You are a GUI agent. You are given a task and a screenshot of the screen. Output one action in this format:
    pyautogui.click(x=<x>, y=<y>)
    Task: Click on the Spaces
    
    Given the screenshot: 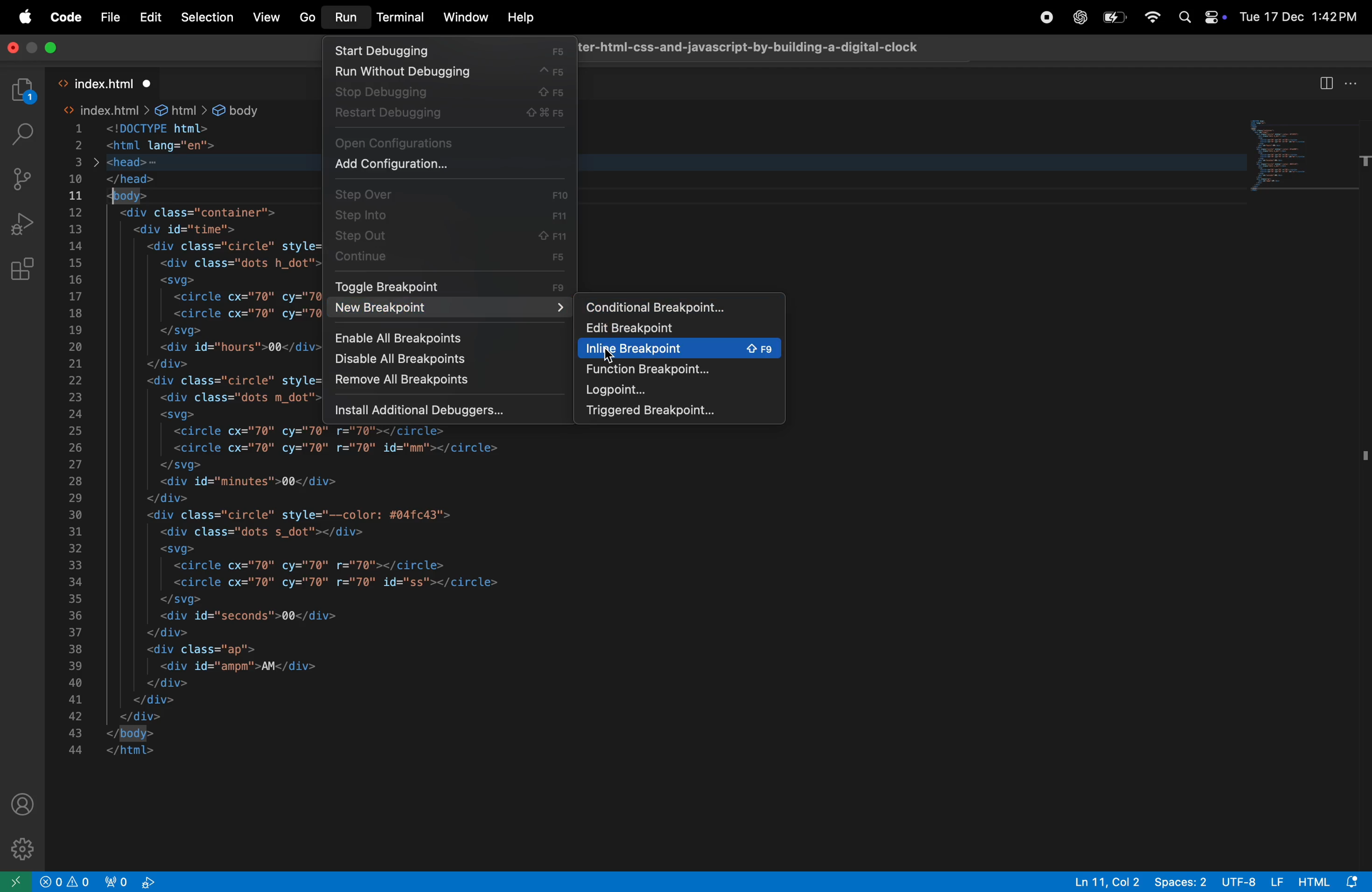 What is the action you would take?
    pyautogui.click(x=1182, y=881)
    